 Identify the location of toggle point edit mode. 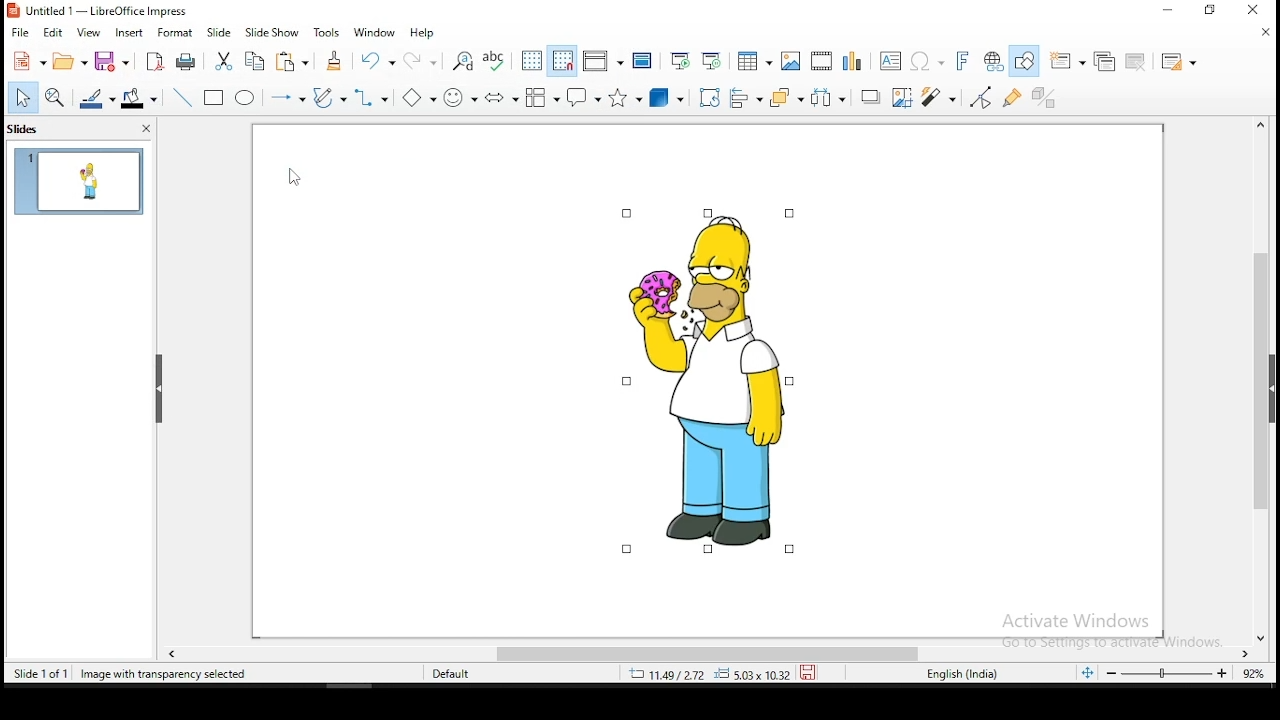
(982, 95).